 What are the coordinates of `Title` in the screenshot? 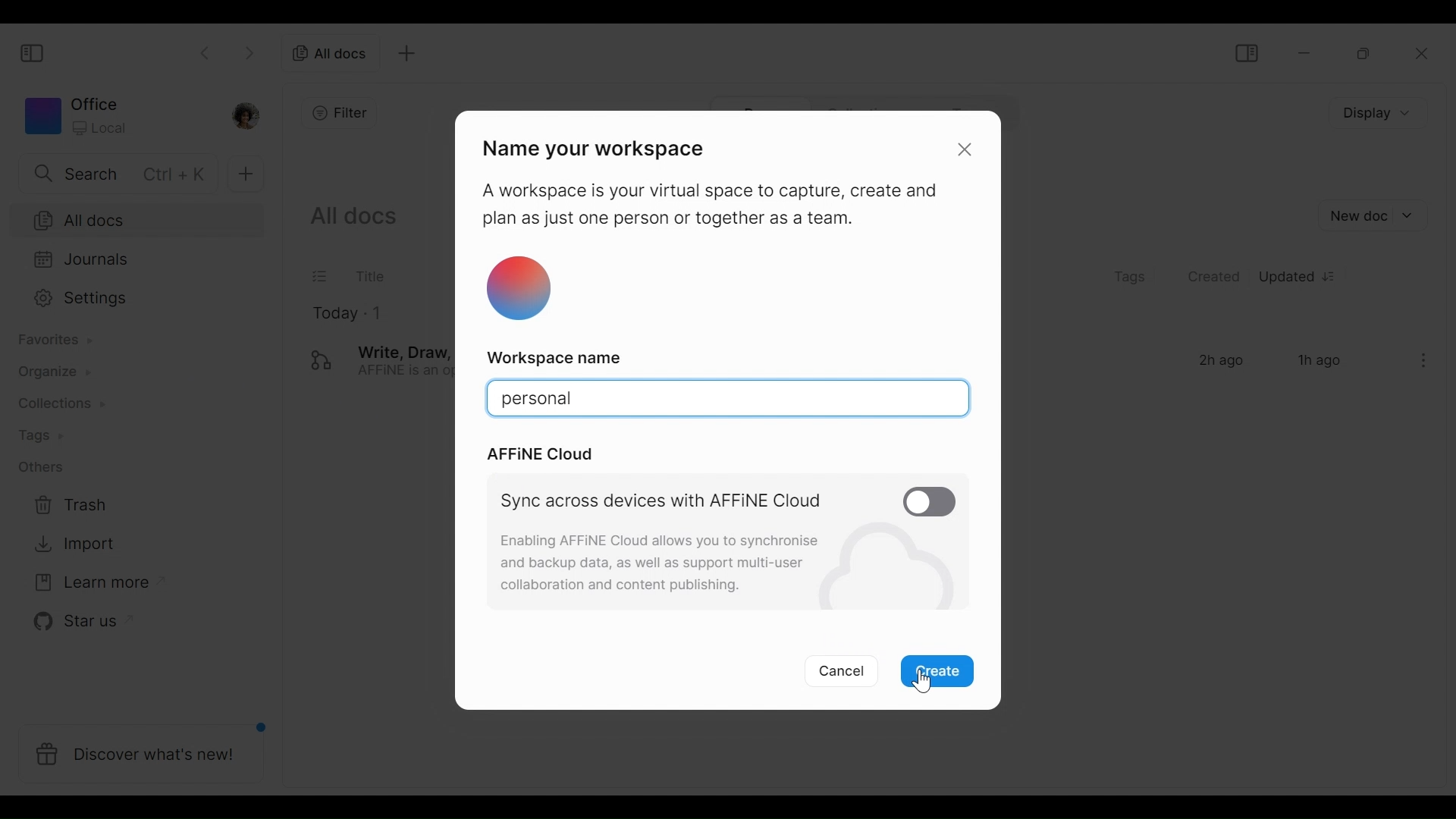 It's located at (369, 276).